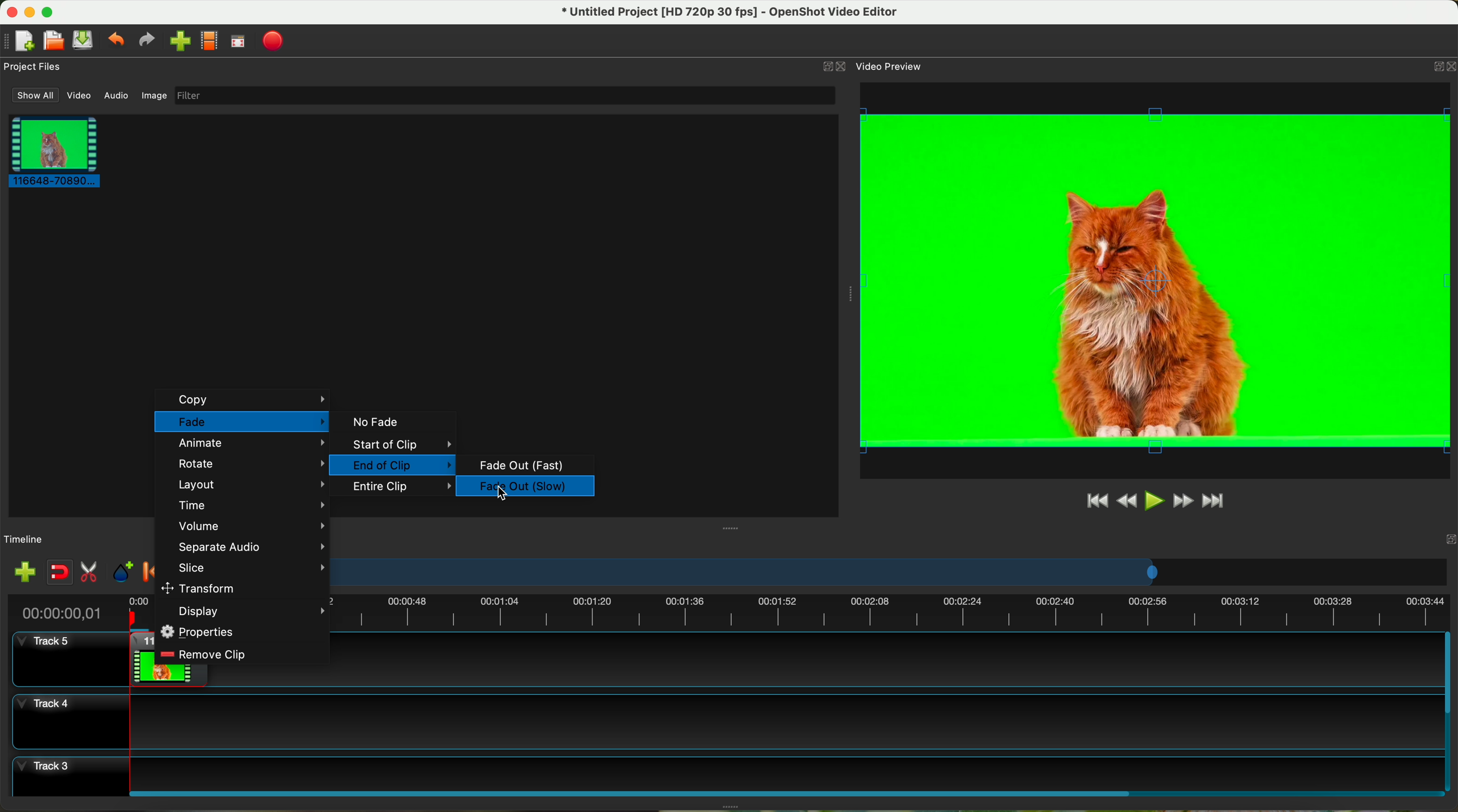 The height and width of the screenshot is (812, 1458). What do you see at coordinates (117, 96) in the screenshot?
I see `audio` at bounding box center [117, 96].